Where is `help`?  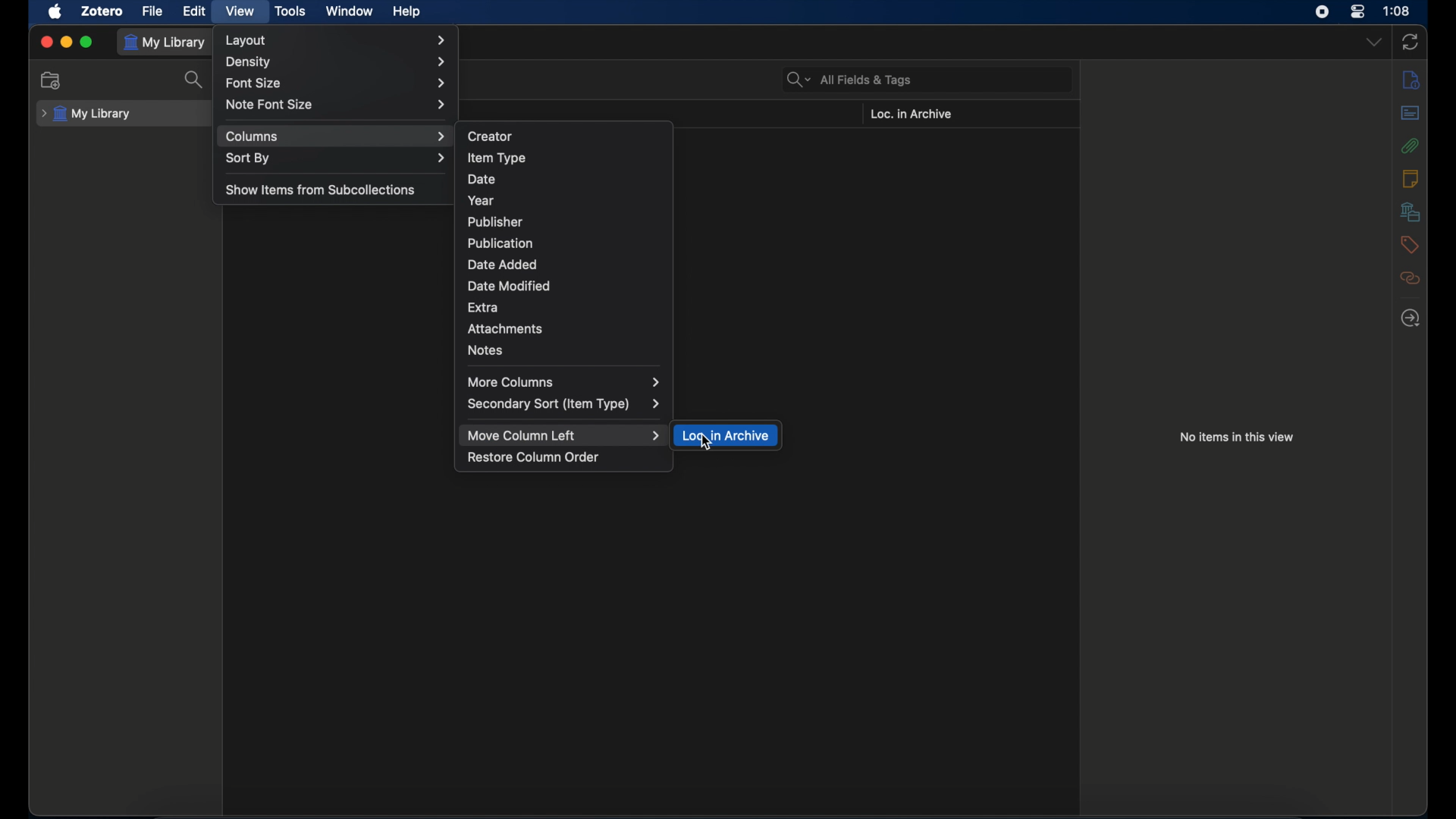
help is located at coordinates (406, 12).